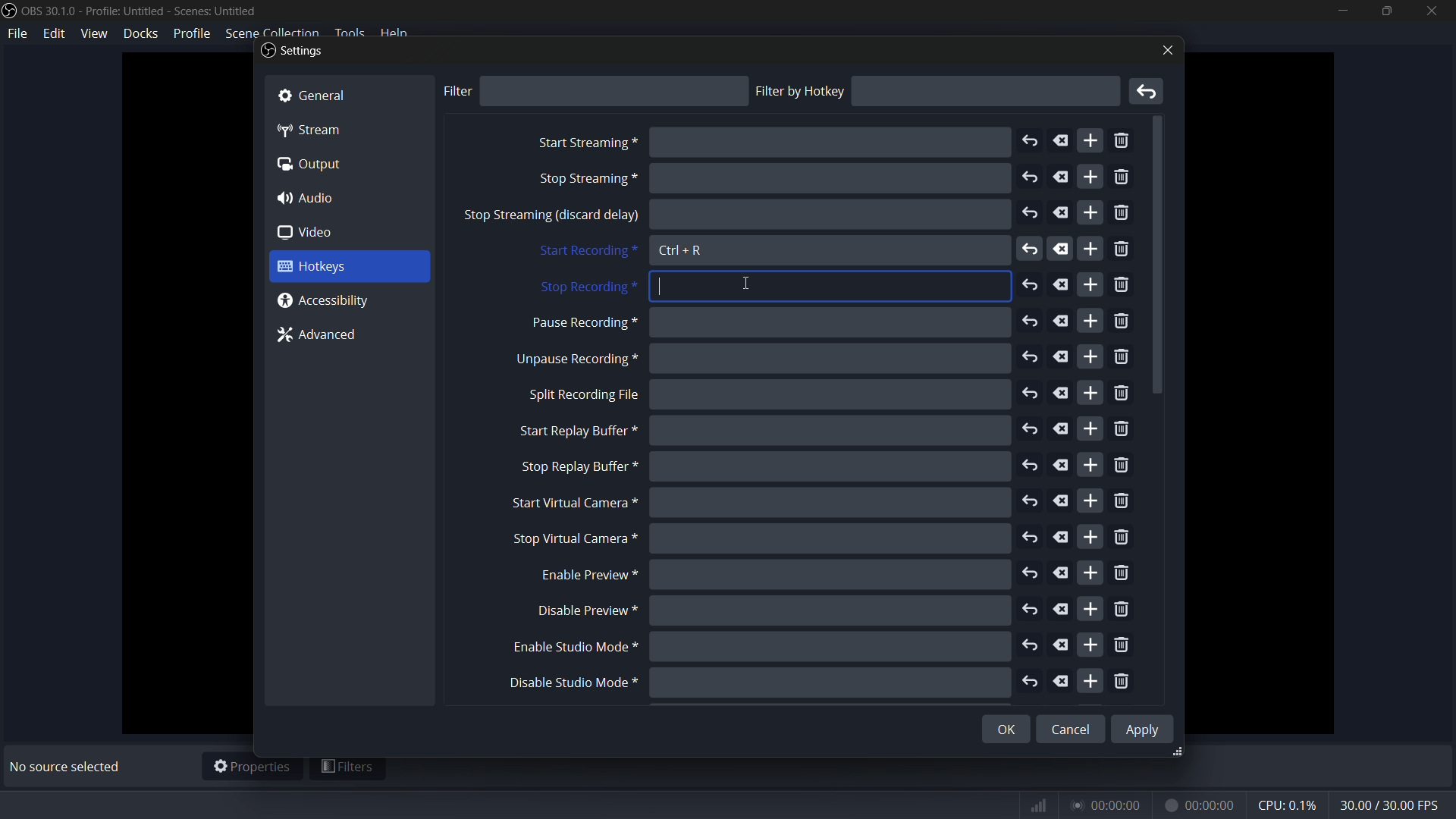 The height and width of the screenshot is (819, 1456). Describe the element at coordinates (1062, 574) in the screenshot. I see `delete` at that location.